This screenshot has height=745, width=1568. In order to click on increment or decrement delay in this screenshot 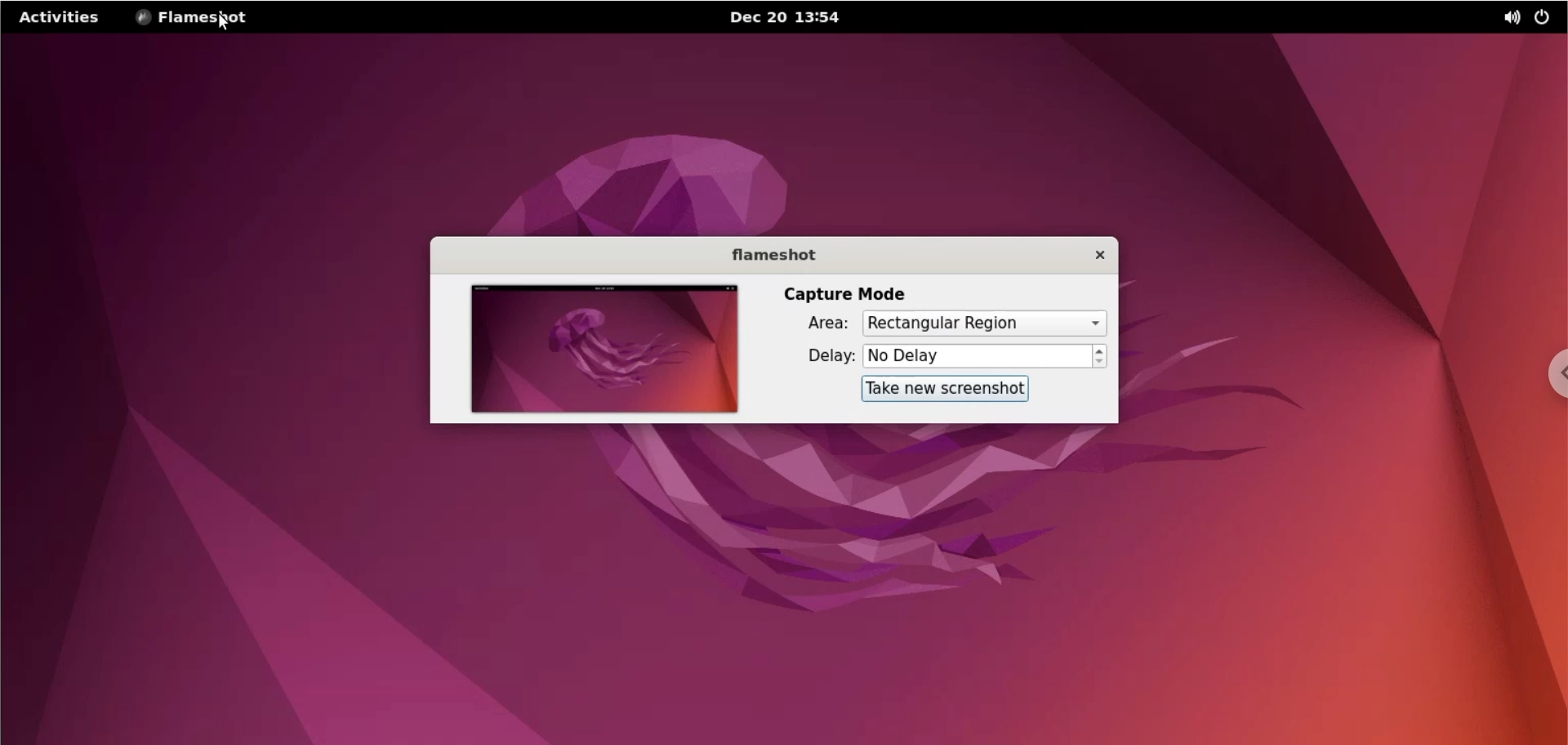, I will do `click(1102, 356)`.